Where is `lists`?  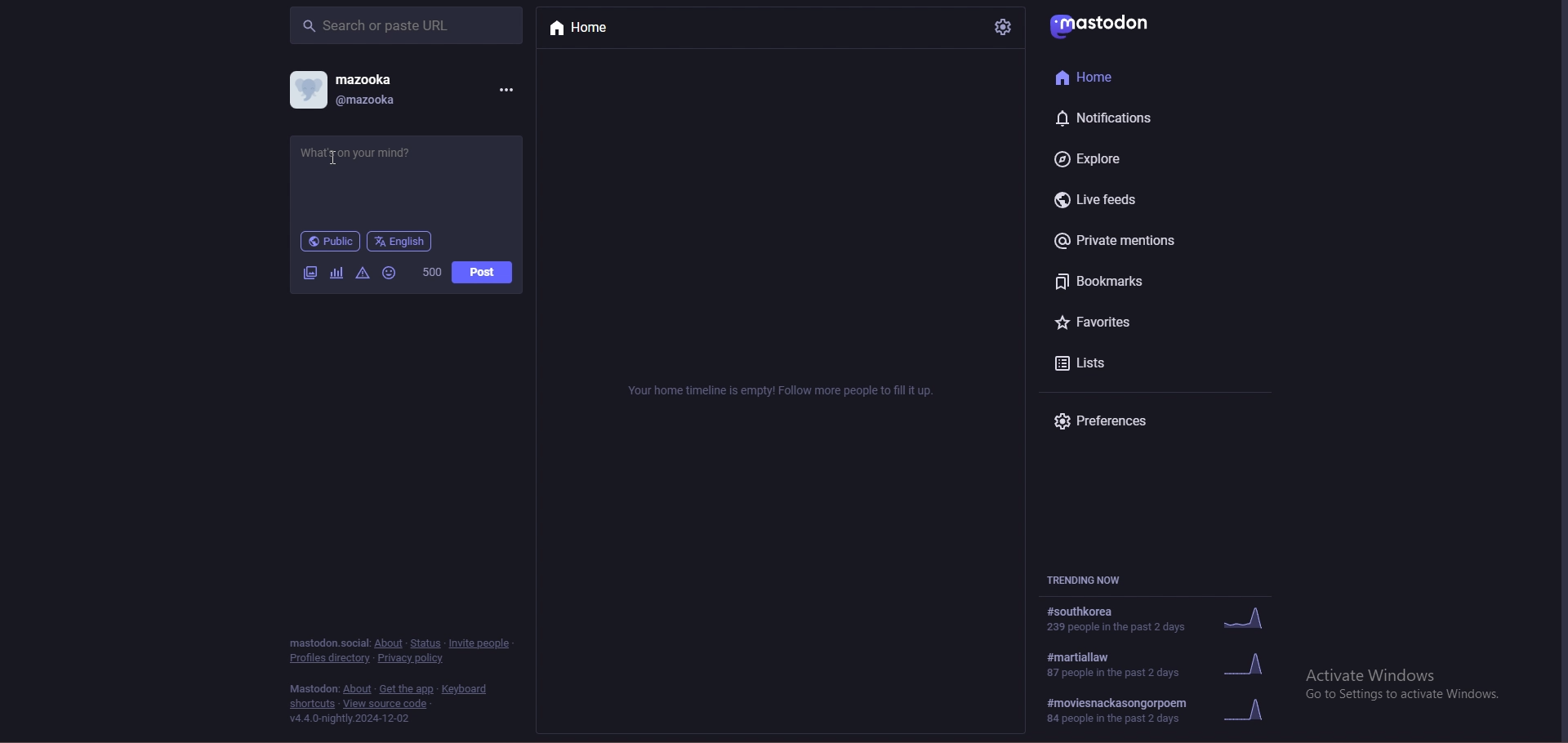
lists is located at coordinates (1111, 363).